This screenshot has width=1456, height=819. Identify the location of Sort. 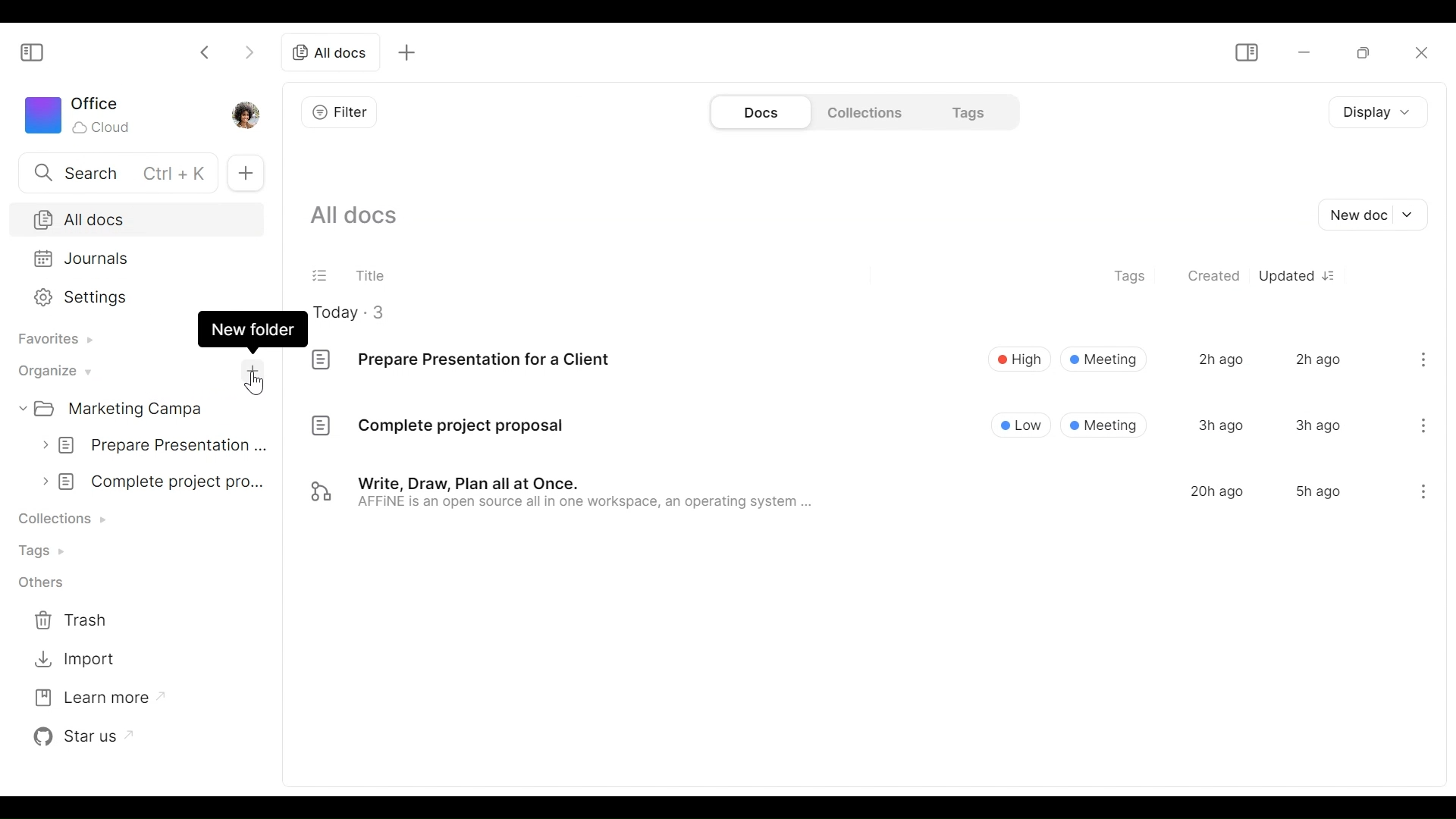
(1334, 275).